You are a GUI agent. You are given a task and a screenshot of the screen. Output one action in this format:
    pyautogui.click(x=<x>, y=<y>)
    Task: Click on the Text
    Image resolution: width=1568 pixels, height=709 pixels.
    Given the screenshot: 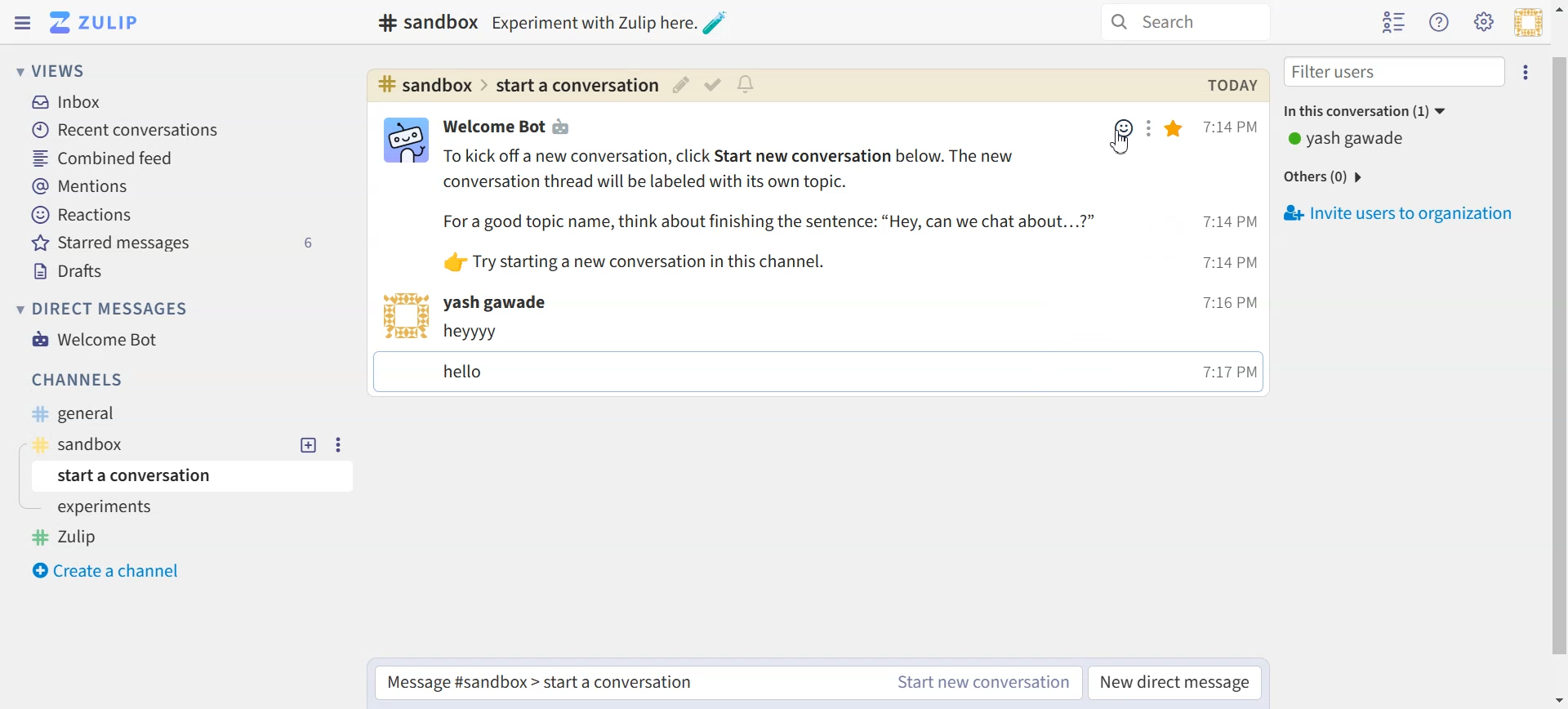 What is the action you would take?
    pyautogui.click(x=1231, y=85)
    